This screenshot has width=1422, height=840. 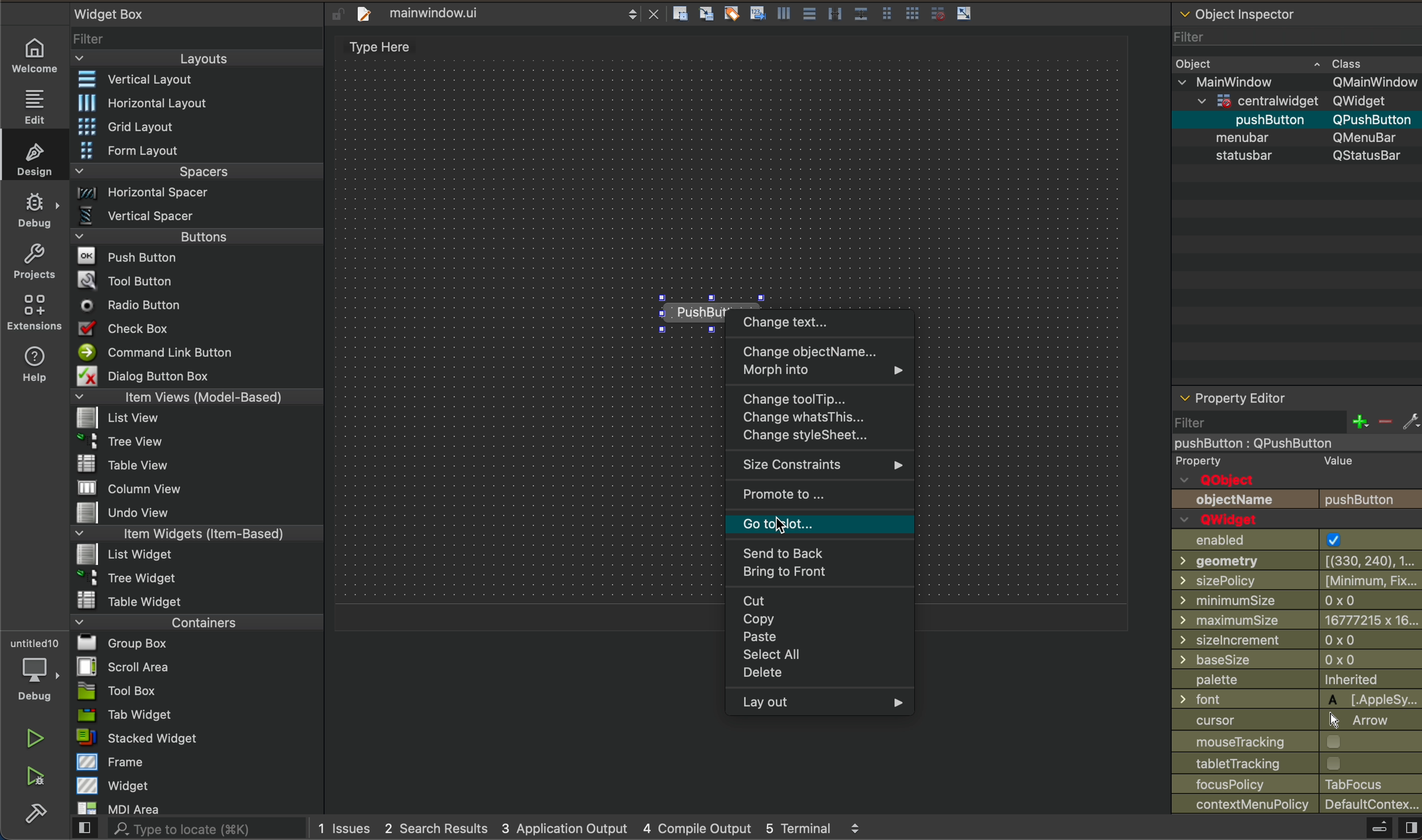 What do you see at coordinates (198, 330) in the screenshot?
I see `checkbox` at bounding box center [198, 330].